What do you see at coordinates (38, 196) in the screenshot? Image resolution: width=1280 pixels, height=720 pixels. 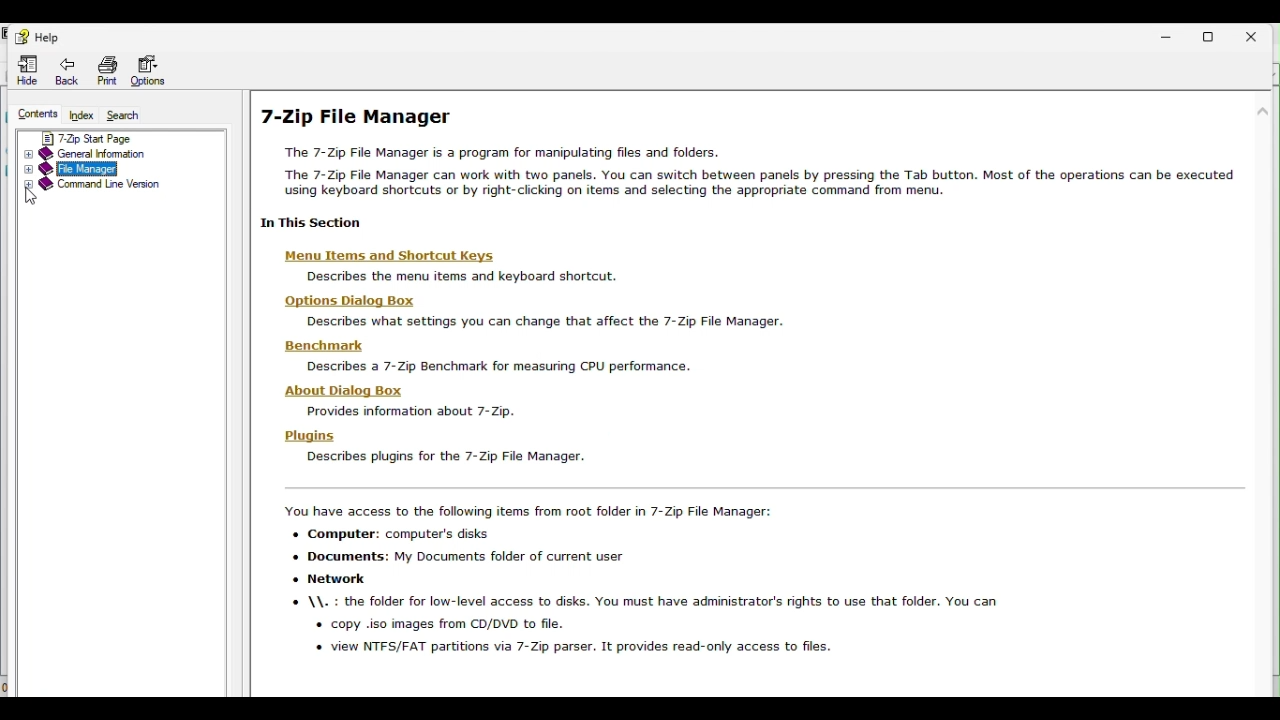 I see `Cursor` at bounding box center [38, 196].